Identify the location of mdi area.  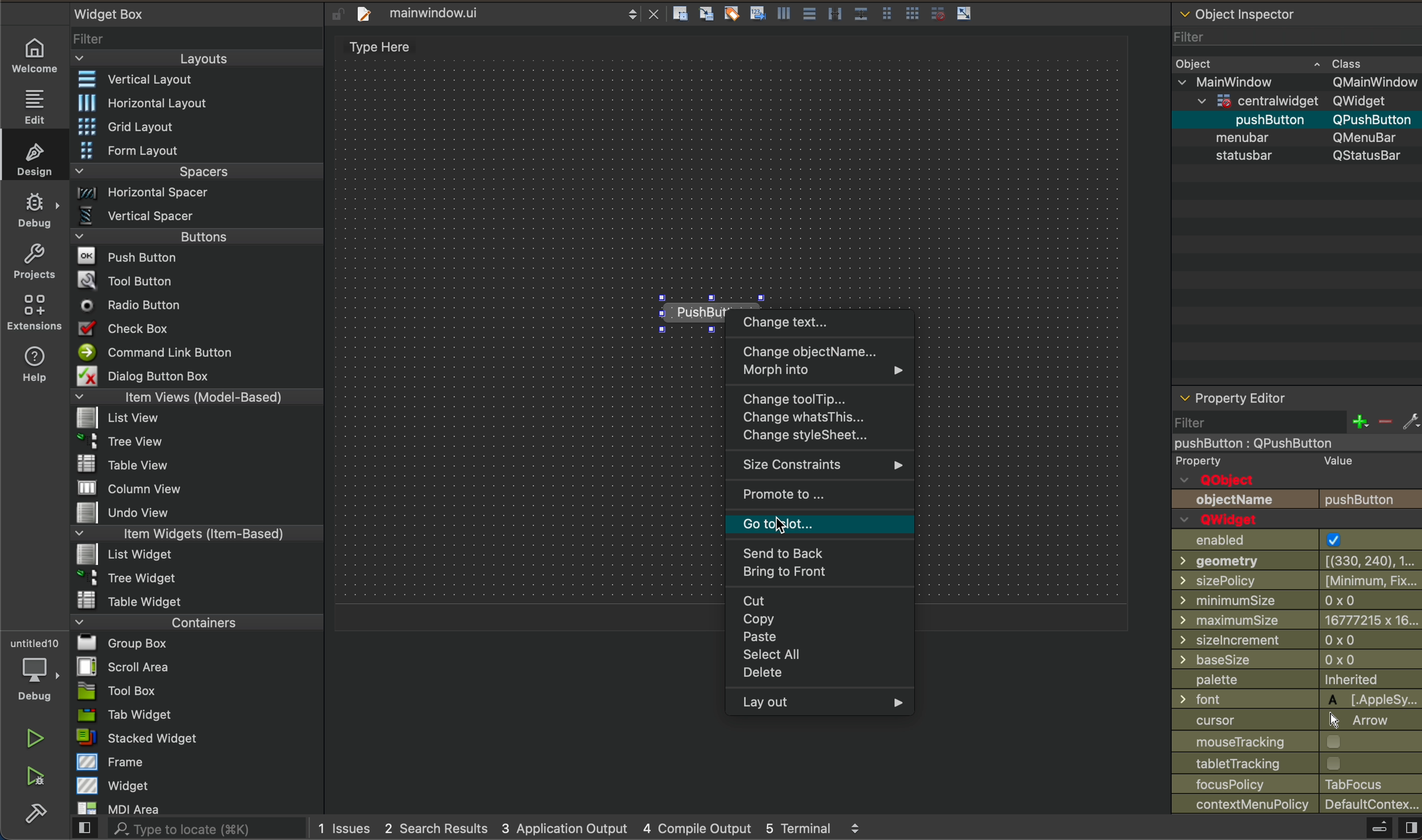
(194, 808).